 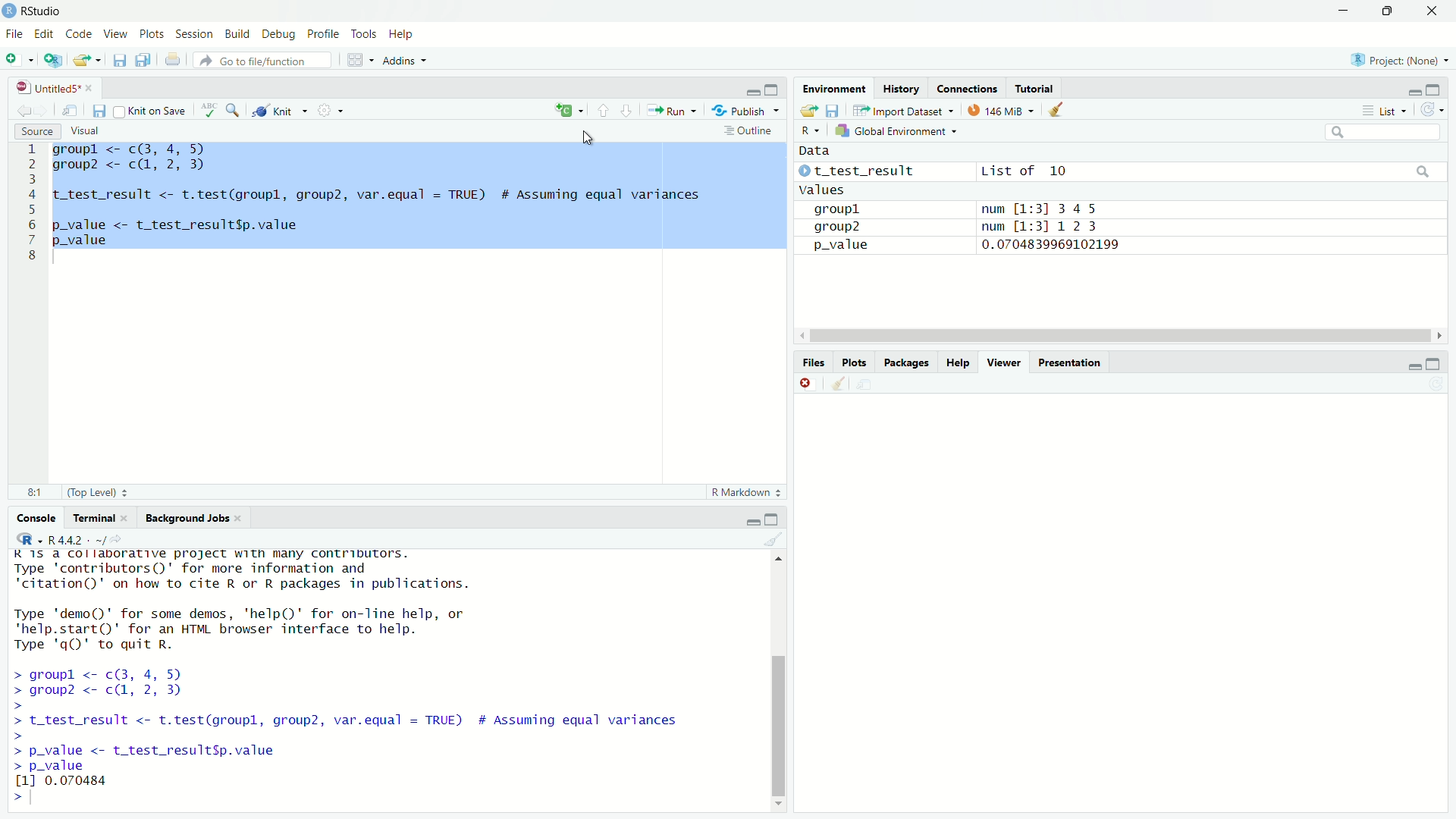 I want to click on workspace panes, so click(x=354, y=58).